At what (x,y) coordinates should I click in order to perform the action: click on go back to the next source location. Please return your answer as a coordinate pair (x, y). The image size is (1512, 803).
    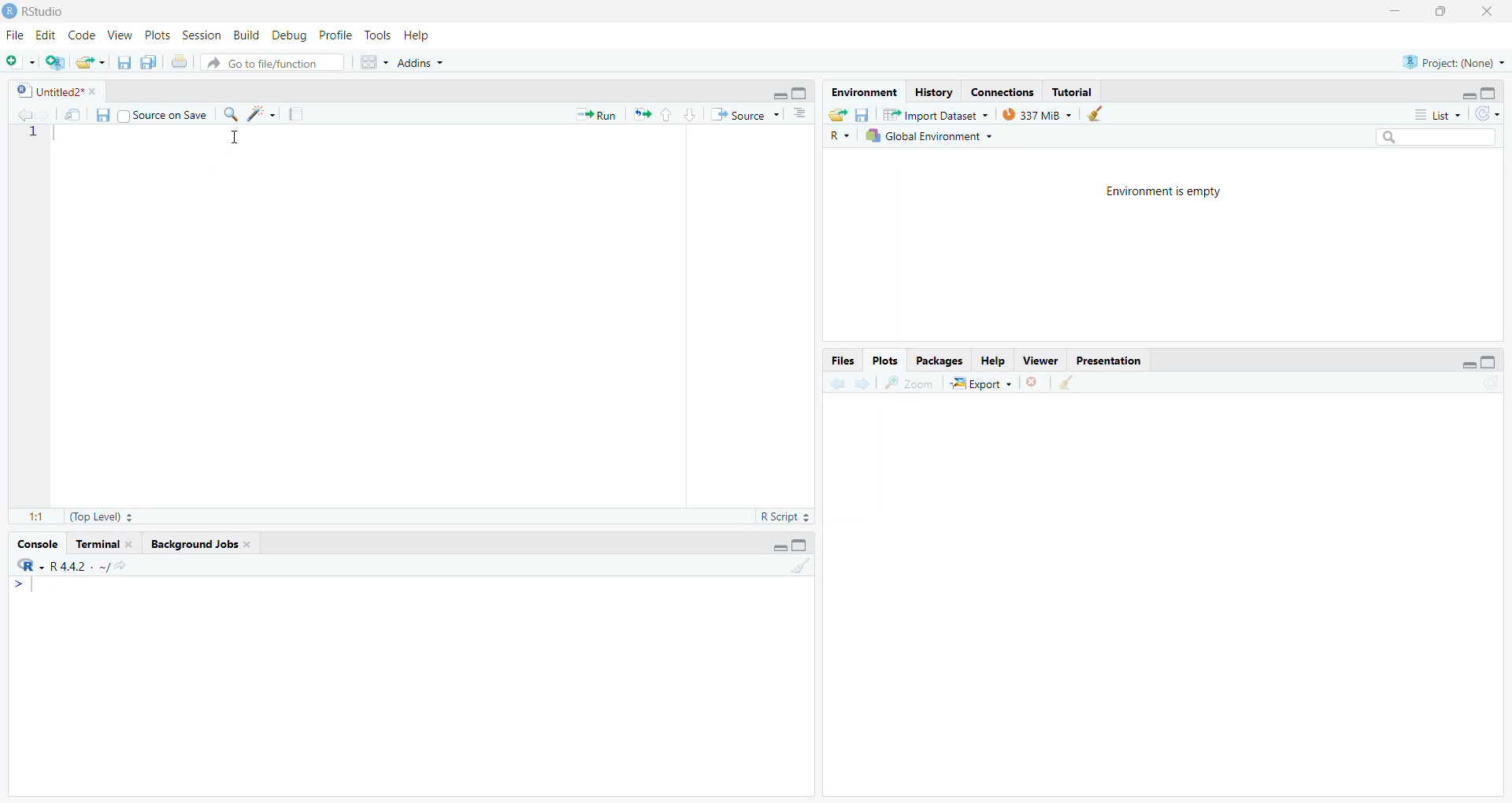
    Looking at the image, I should click on (50, 115).